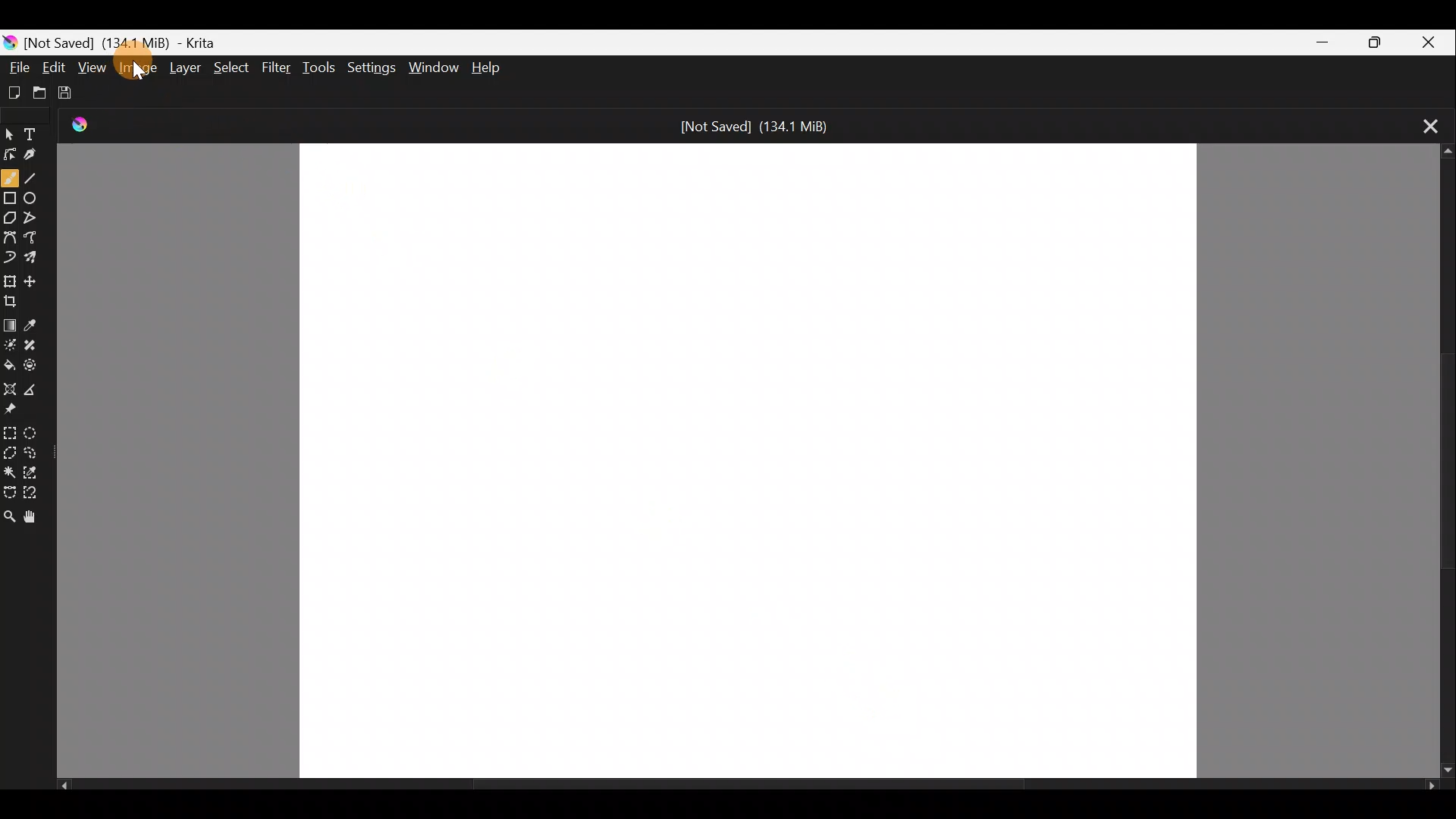 This screenshot has height=819, width=1456. I want to click on Contiguous selection tool, so click(10, 472).